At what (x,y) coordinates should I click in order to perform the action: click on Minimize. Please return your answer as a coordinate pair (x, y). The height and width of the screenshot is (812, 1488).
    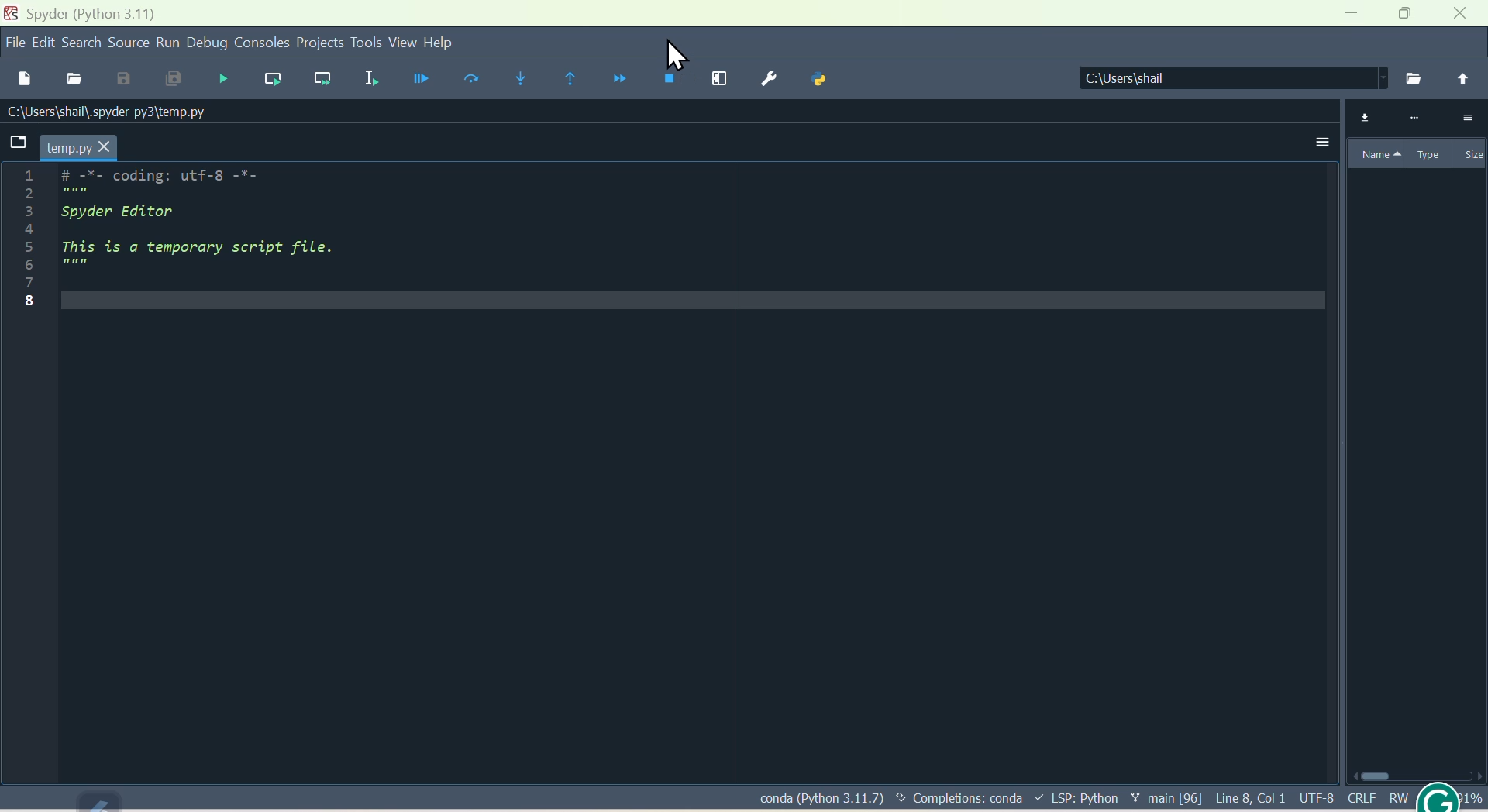
    Looking at the image, I should click on (1355, 15).